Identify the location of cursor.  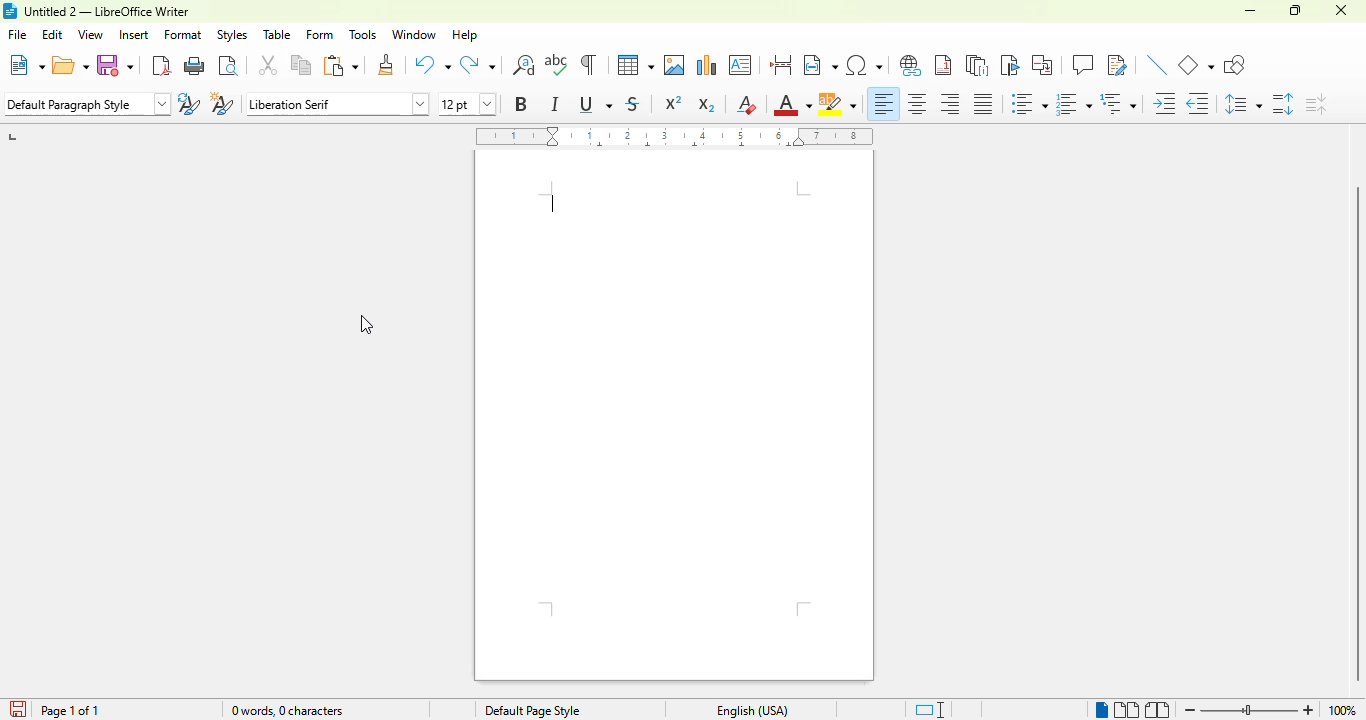
(367, 325).